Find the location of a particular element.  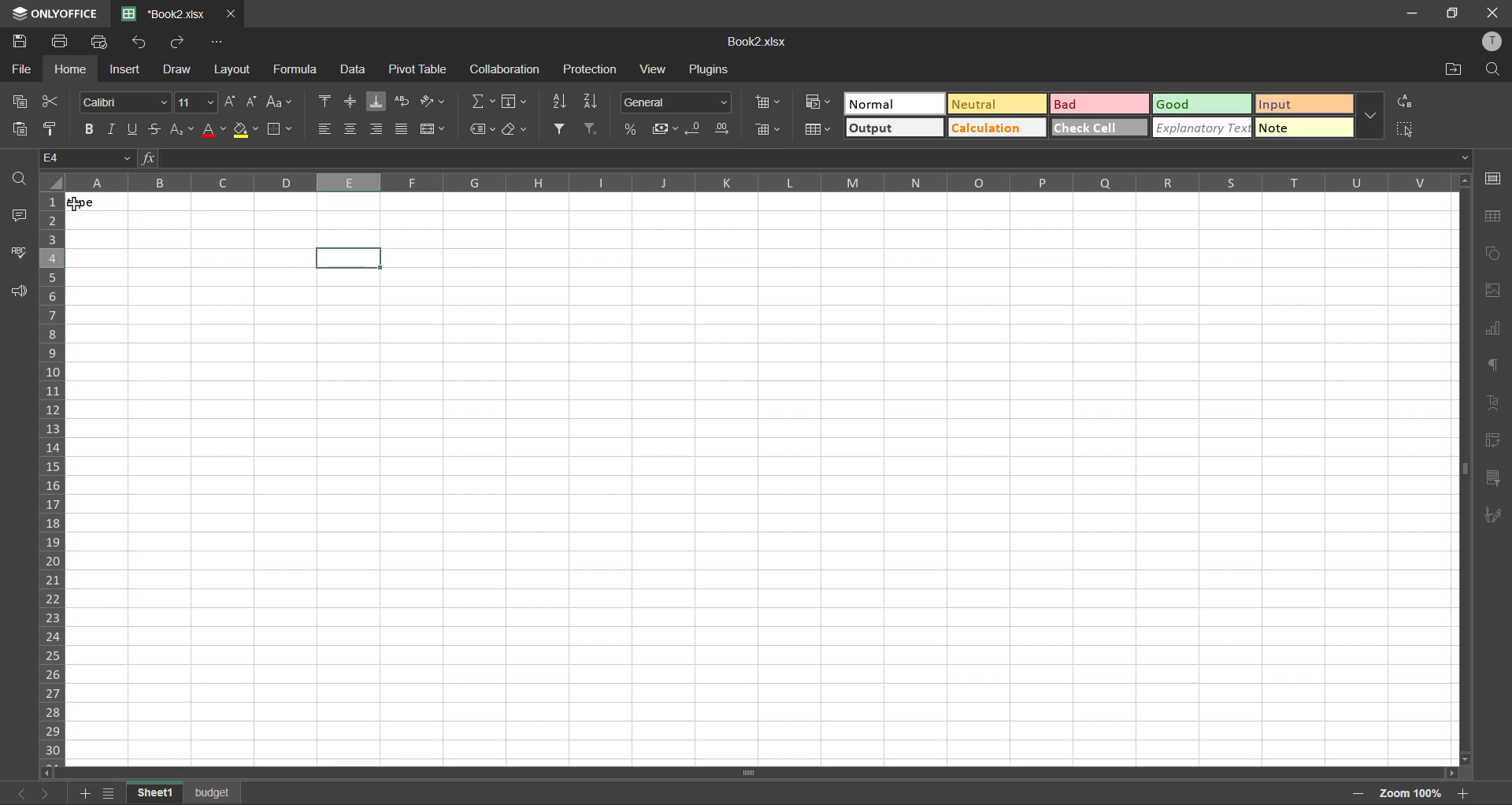

undo is located at coordinates (140, 43).